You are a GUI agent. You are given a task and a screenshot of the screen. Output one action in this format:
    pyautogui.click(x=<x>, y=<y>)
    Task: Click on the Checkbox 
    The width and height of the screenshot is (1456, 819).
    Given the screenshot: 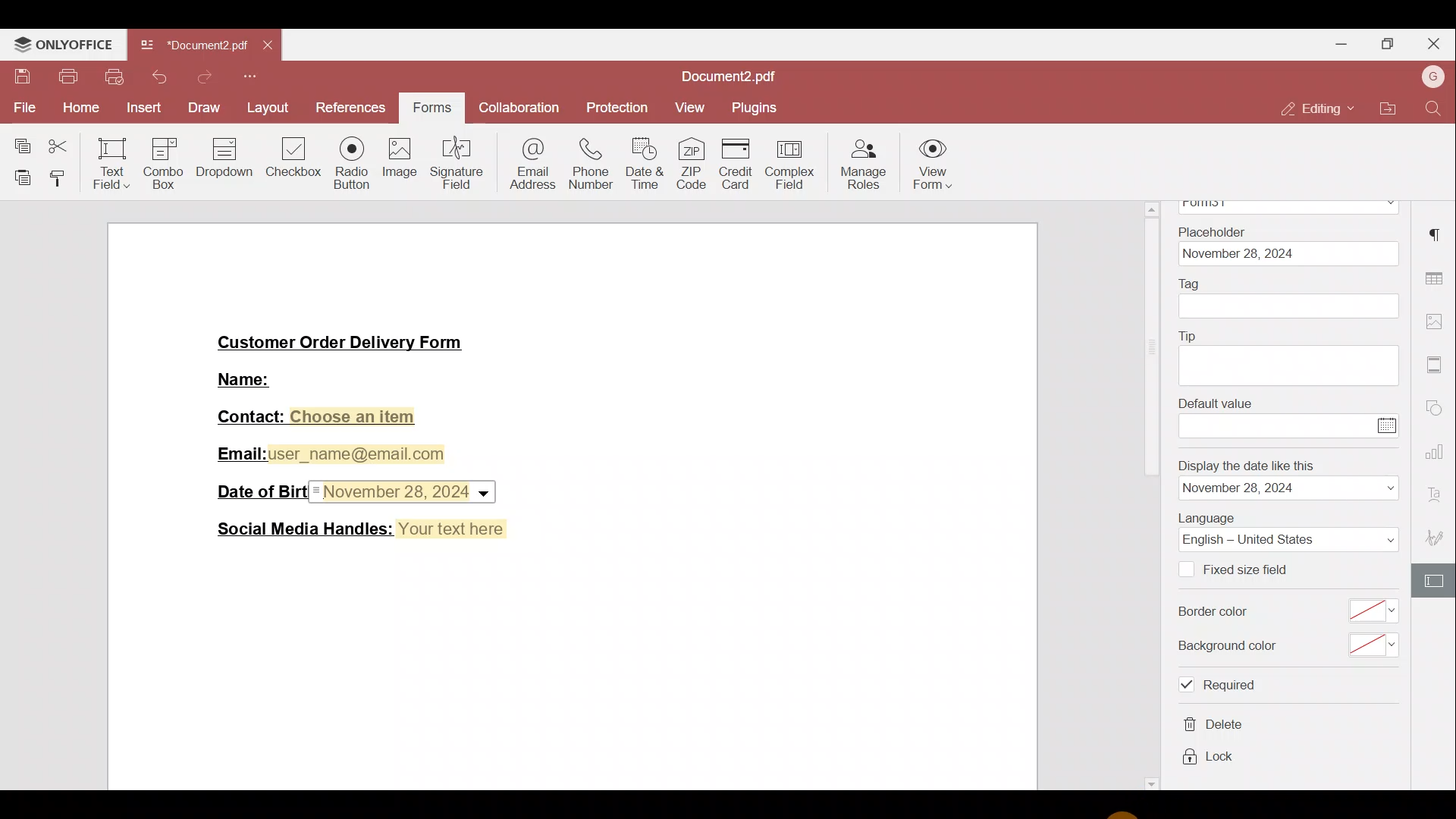 What is the action you would take?
    pyautogui.click(x=1187, y=685)
    